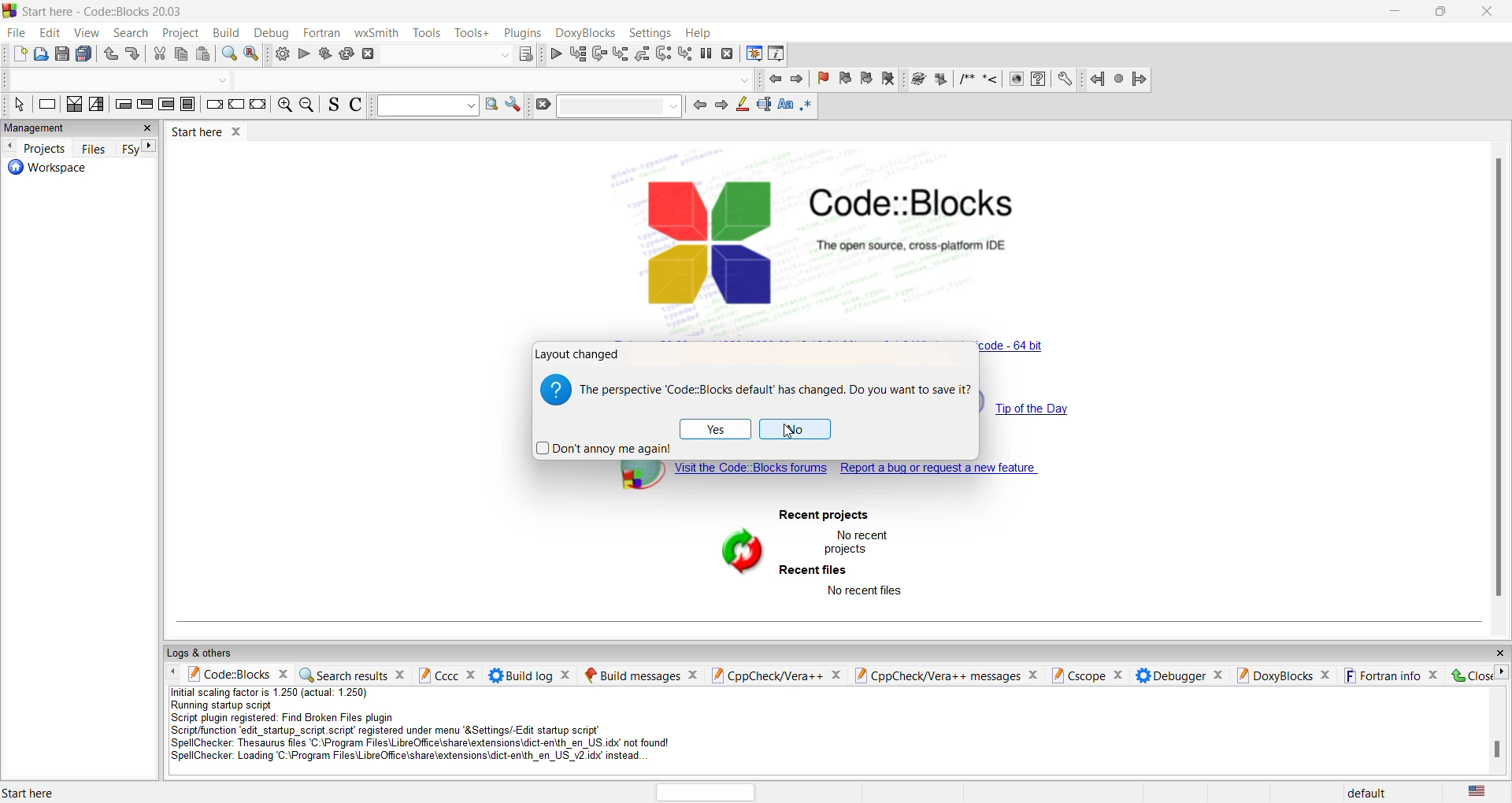  What do you see at coordinates (68, 172) in the screenshot?
I see `workspace` at bounding box center [68, 172].